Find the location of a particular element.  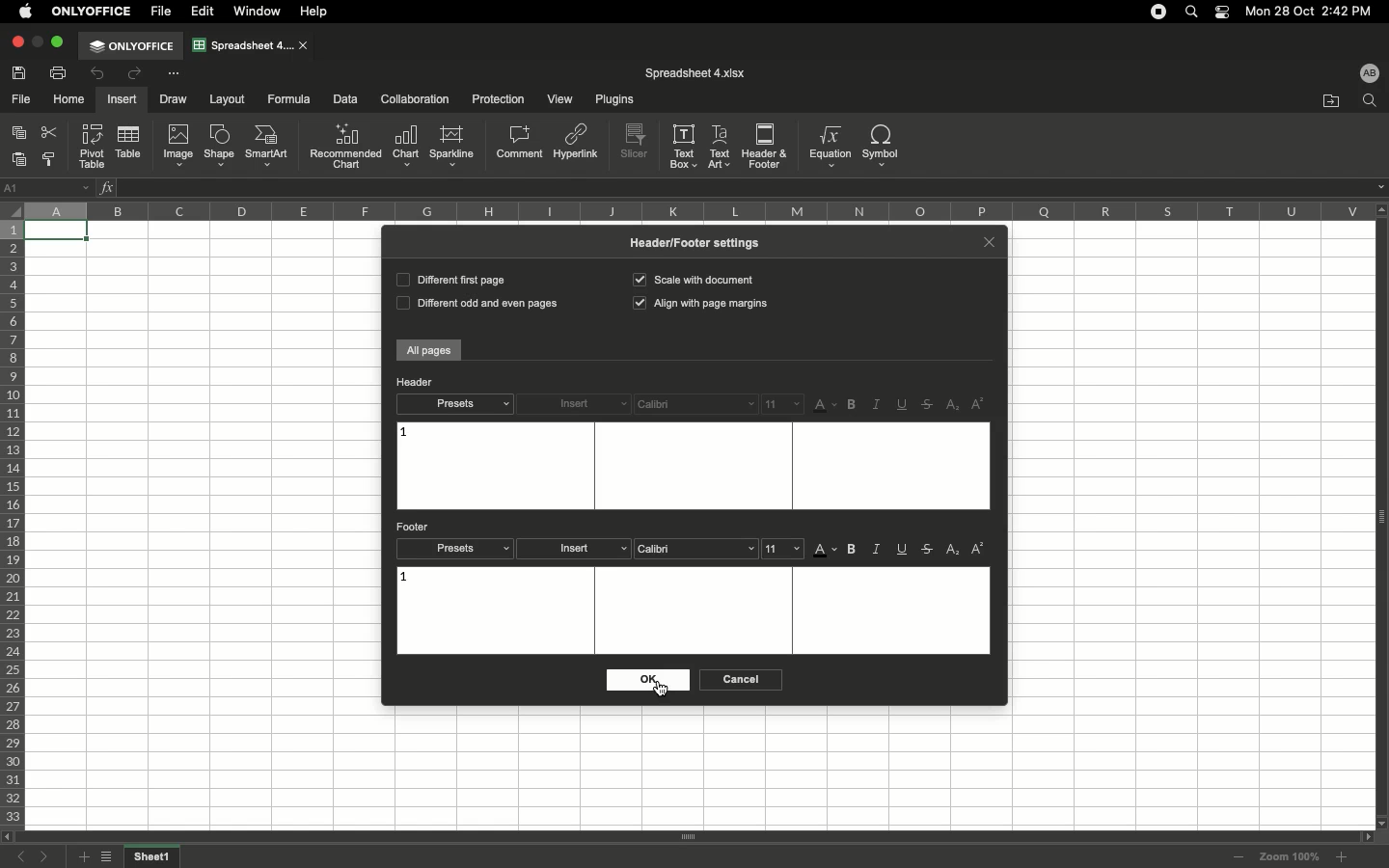

Subscript is located at coordinates (954, 550).